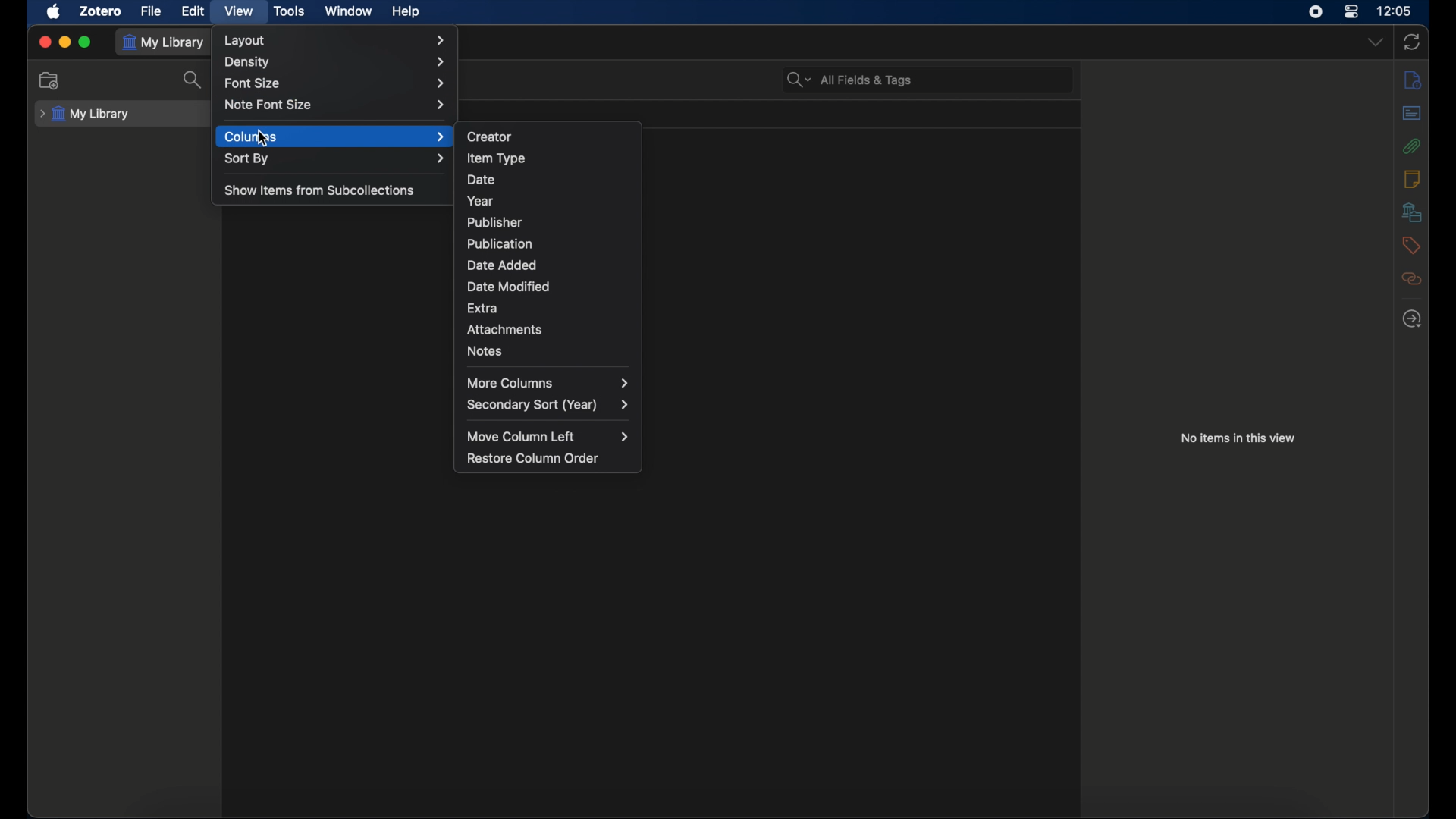 The image size is (1456, 819). Describe the element at coordinates (150, 11) in the screenshot. I see `file` at that location.